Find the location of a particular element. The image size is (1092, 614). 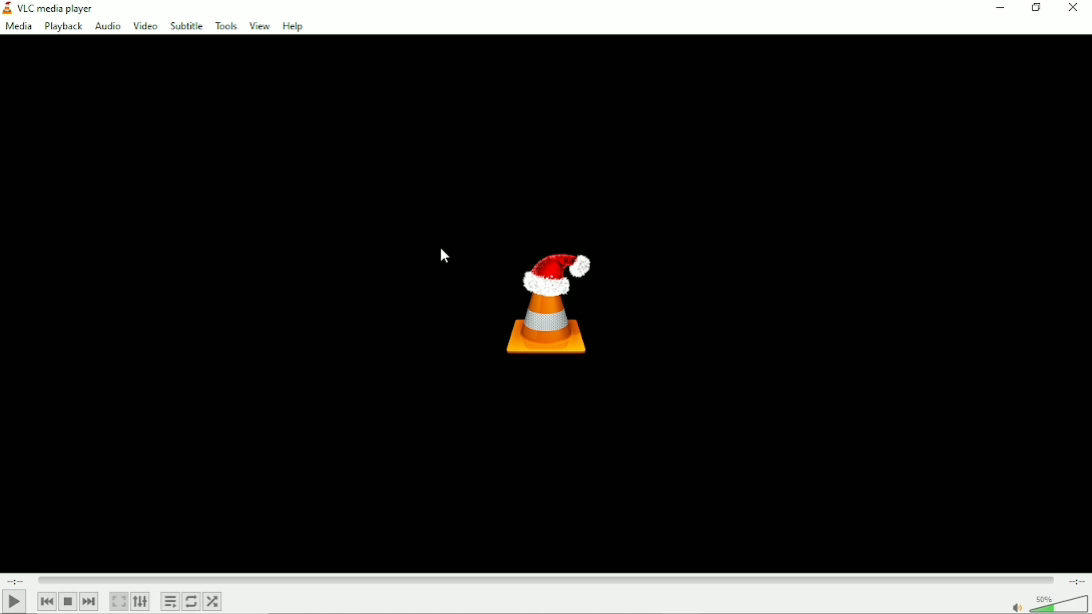

Video is located at coordinates (144, 26).